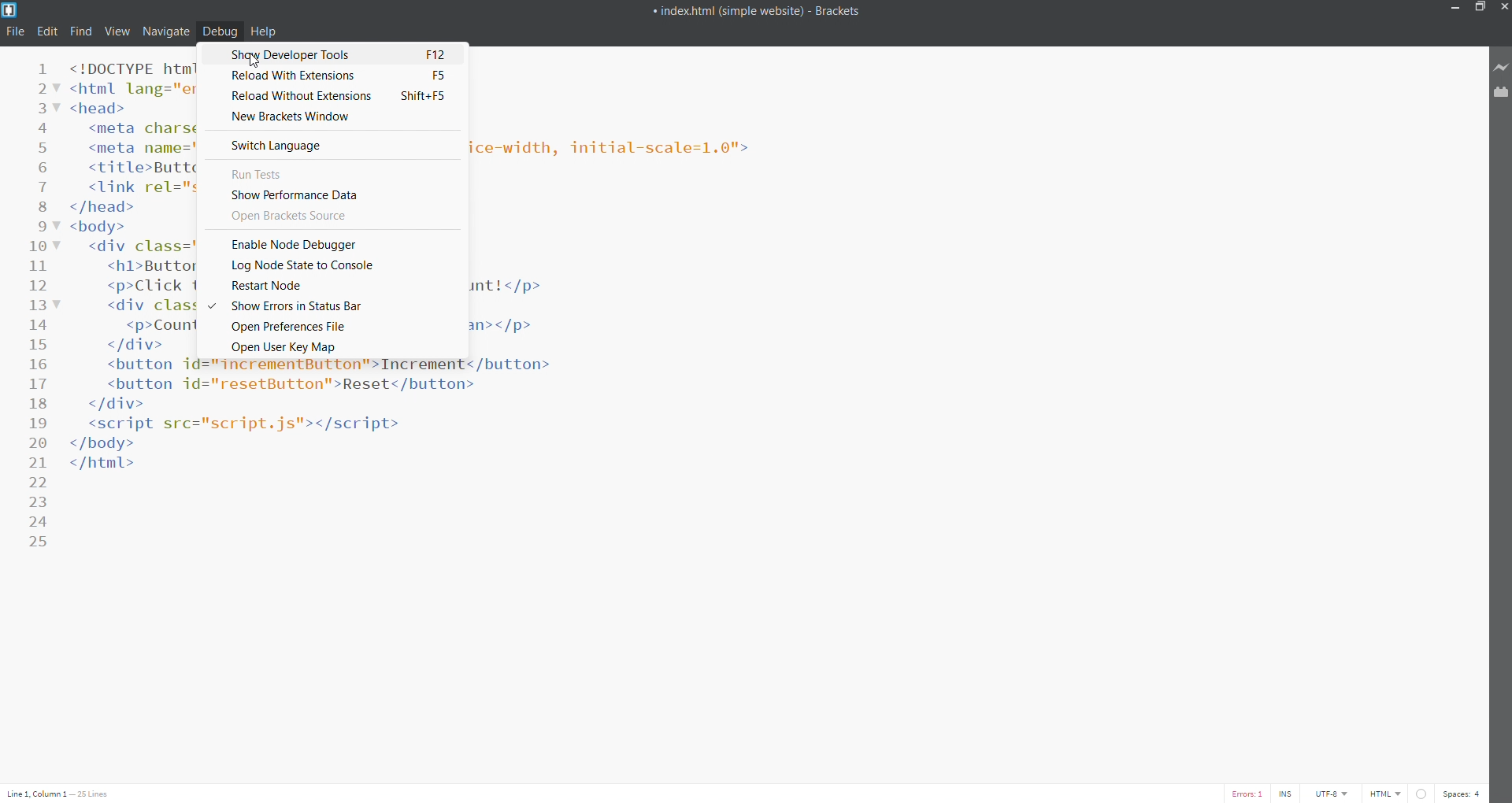 This screenshot has height=803, width=1512. I want to click on log node state to console, so click(328, 264).